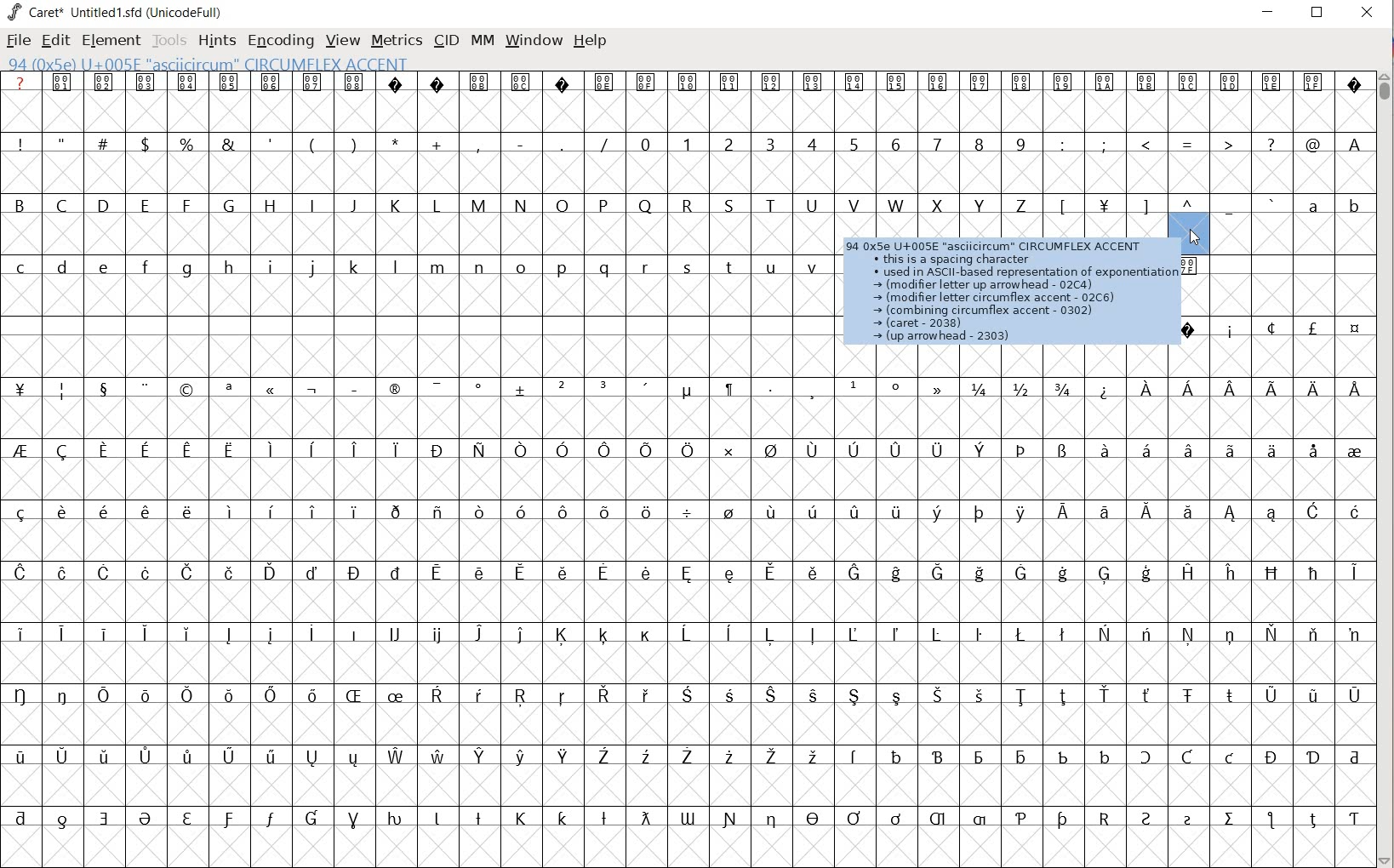  What do you see at coordinates (117, 11) in the screenshot?
I see `caret* untitled1.sfd (unicodefull)` at bounding box center [117, 11].